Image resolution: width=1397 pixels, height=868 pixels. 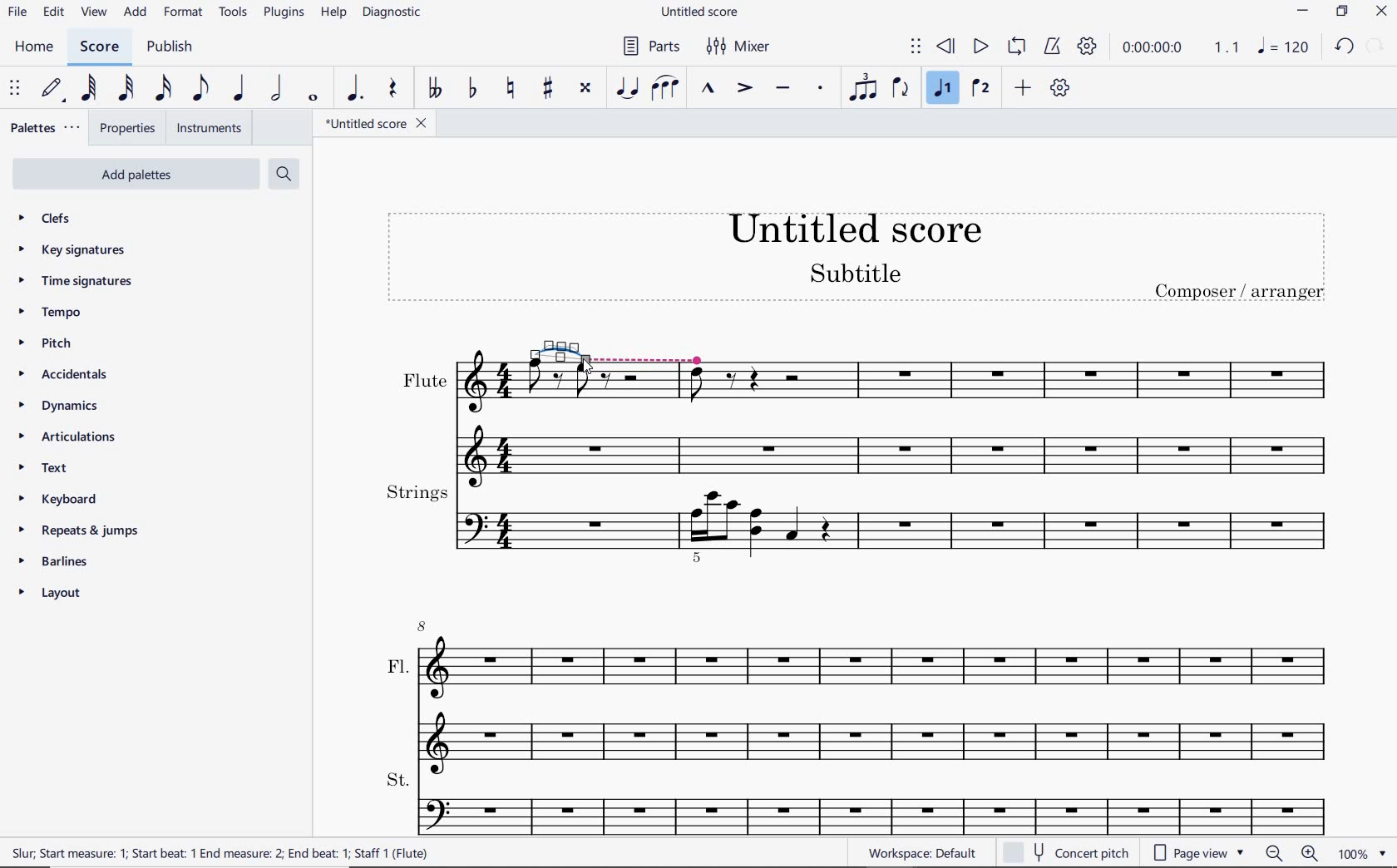 What do you see at coordinates (42, 470) in the screenshot?
I see `text` at bounding box center [42, 470].